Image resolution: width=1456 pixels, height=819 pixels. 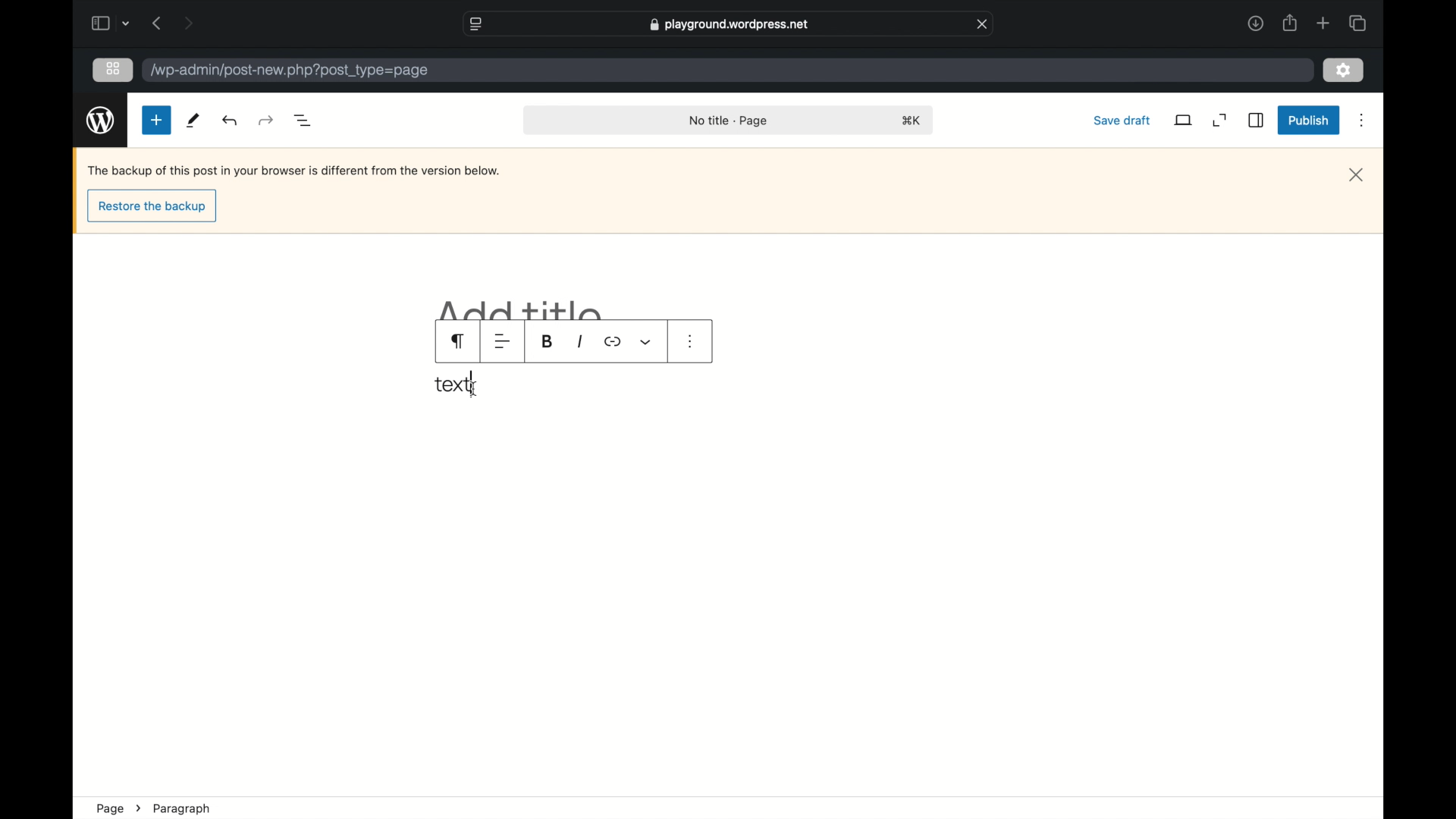 I want to click on next icon, so click(x=138, y=808).